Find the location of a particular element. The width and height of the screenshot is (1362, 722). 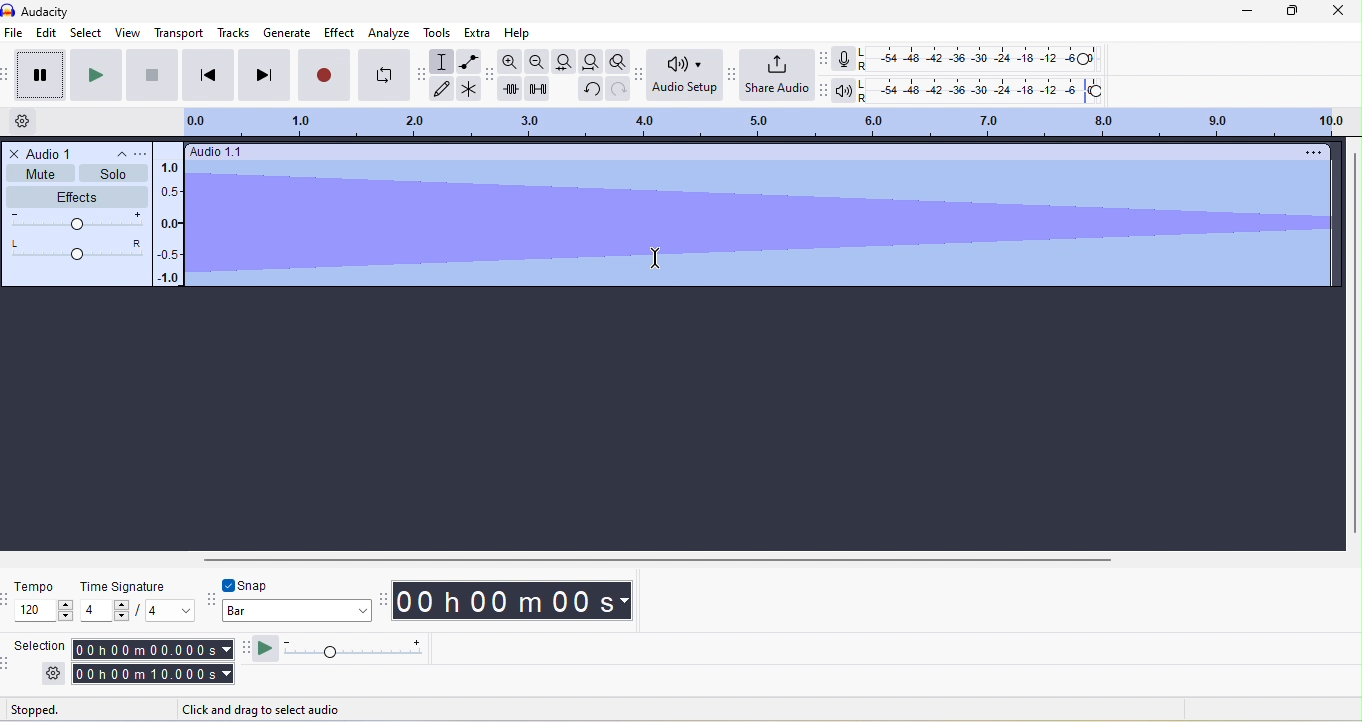

audacity transport toolbar is located at coordinates (9, 77).